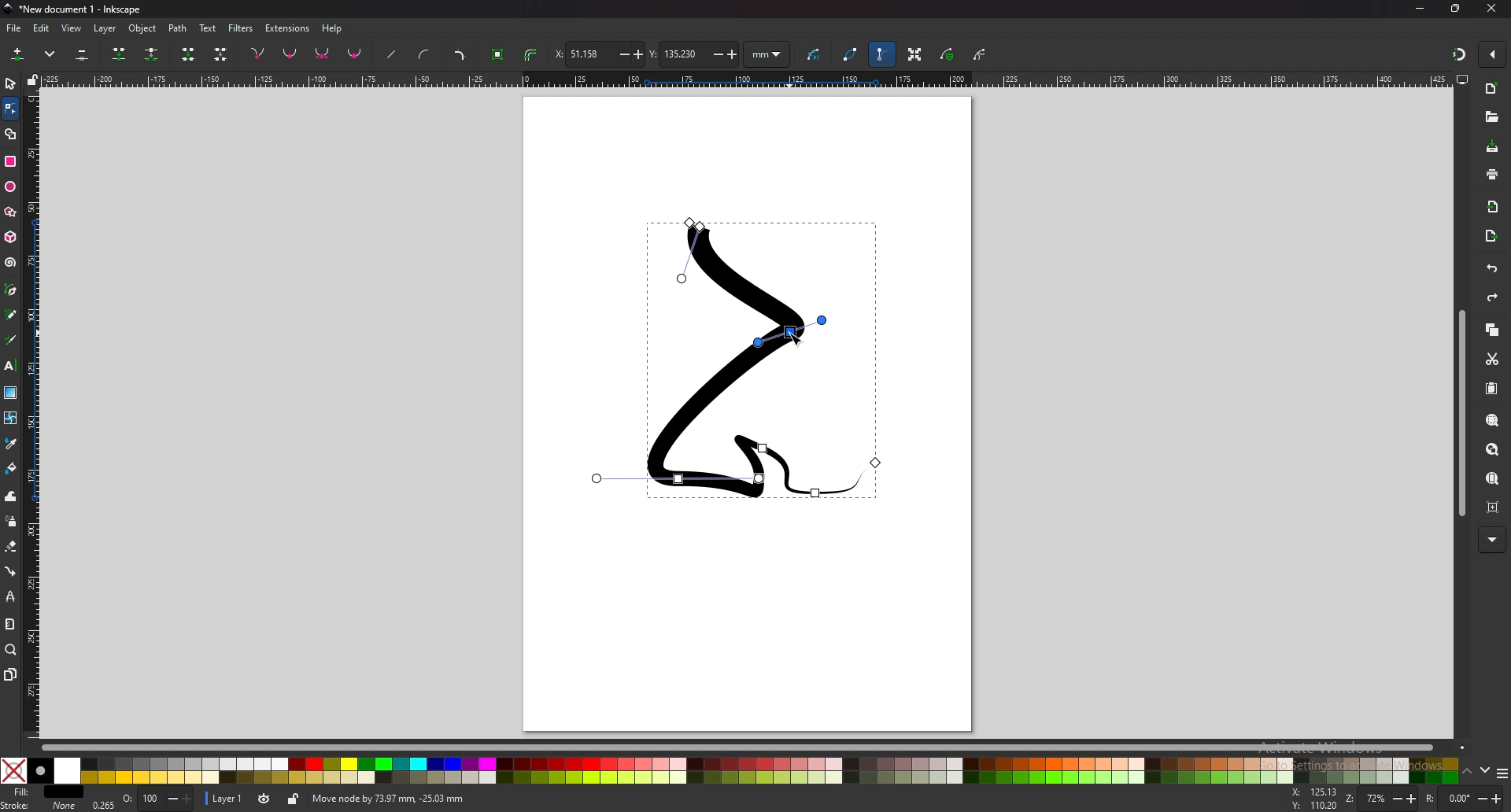 The width and height of the screenshot is (1511, 812). Describe the element at coordinates (1493, 9) in the screenshot. I see `close` at that location.